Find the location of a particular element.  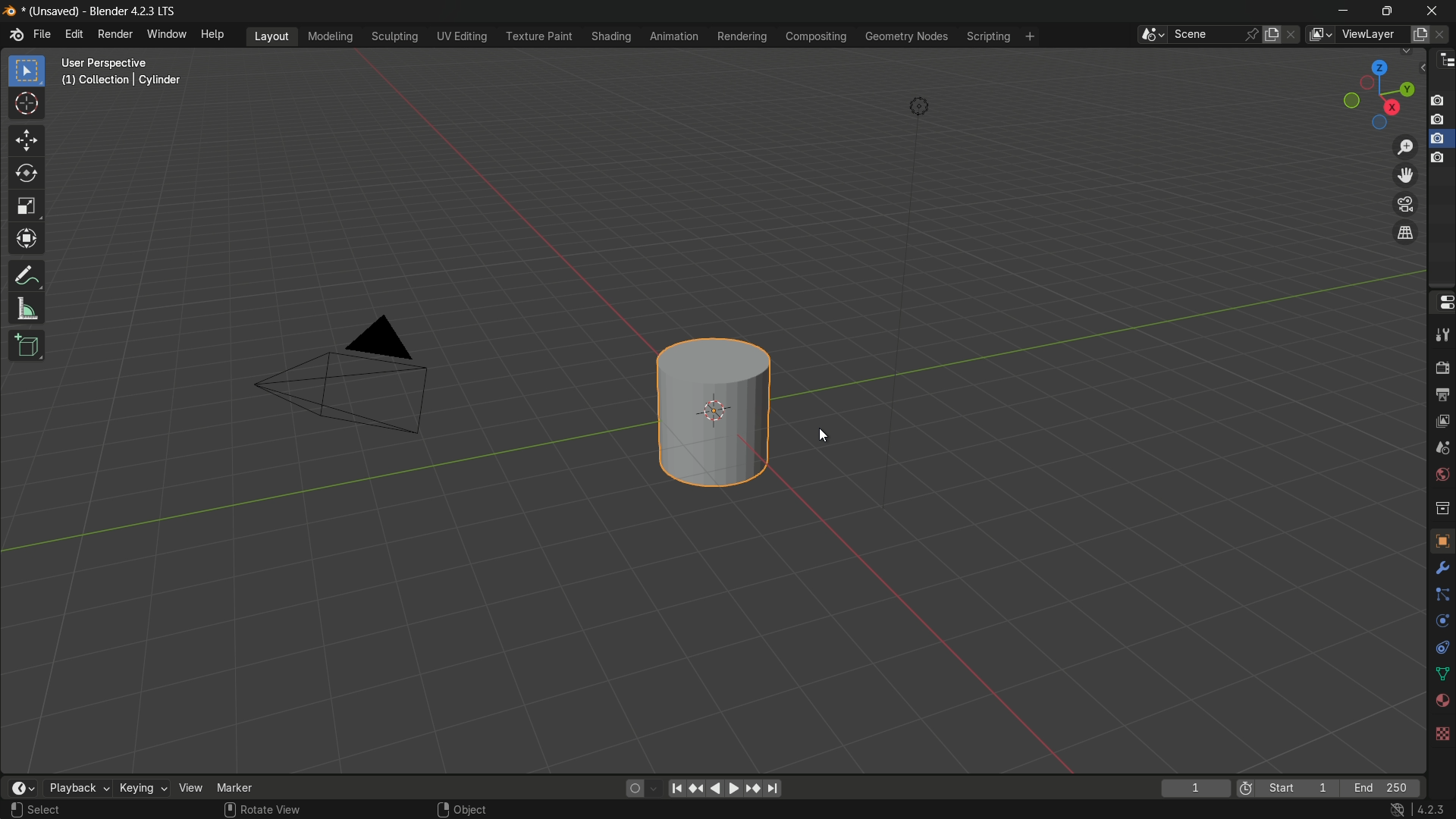

browse scenes is located at coordinates (1150, 35).